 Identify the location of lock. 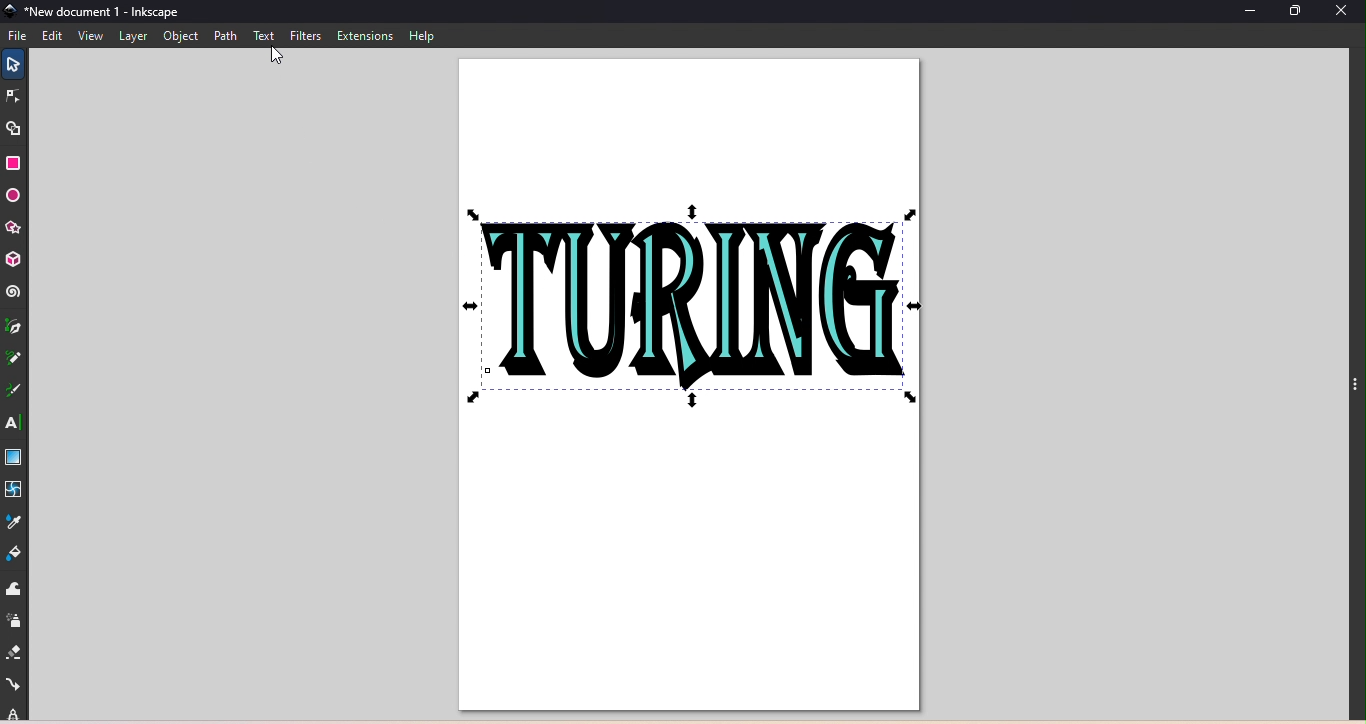
(15, 713).